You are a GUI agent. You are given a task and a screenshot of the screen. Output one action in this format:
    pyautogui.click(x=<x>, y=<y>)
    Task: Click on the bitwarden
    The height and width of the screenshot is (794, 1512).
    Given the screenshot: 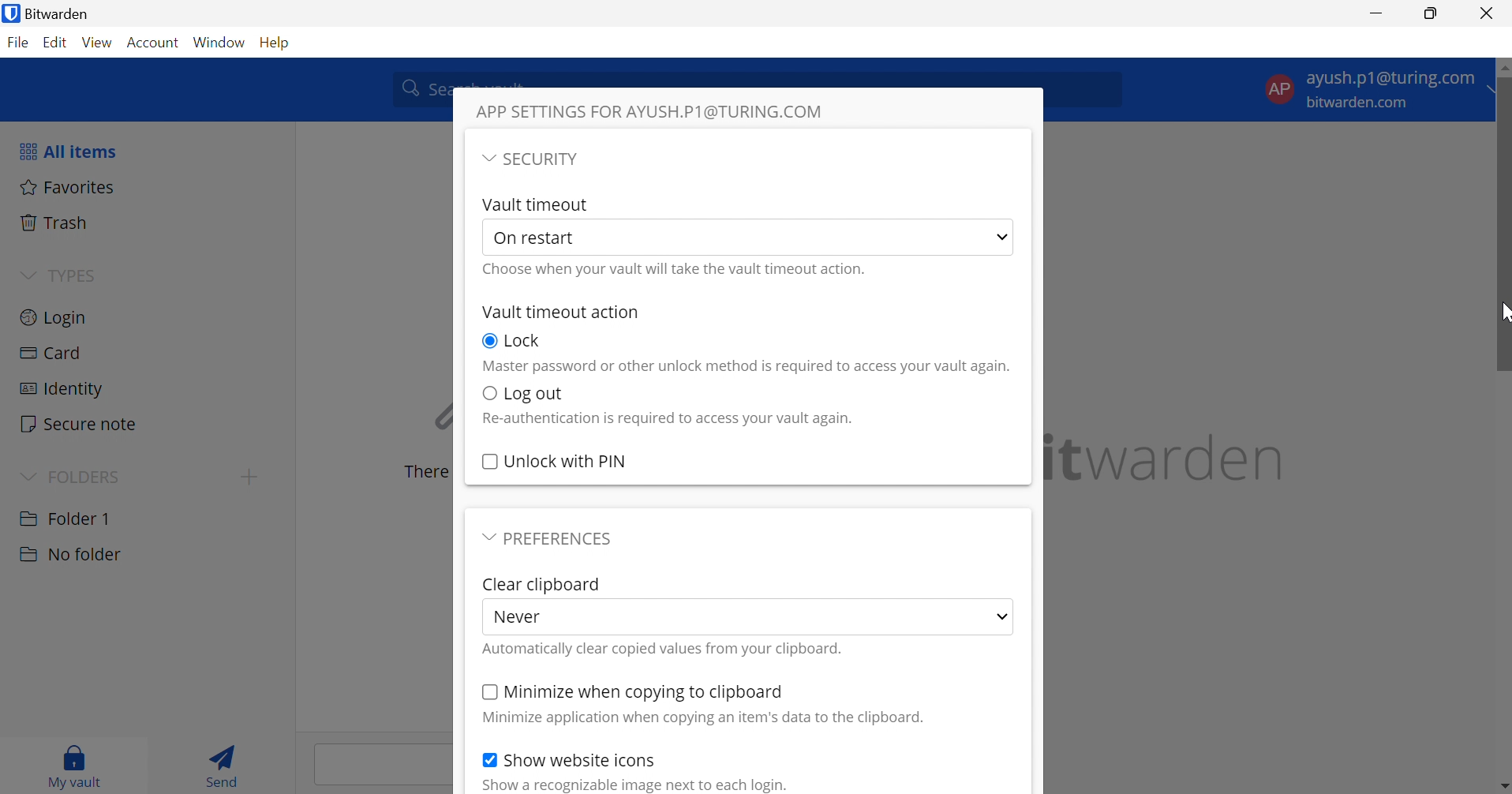 What is the action you would take?
    pyautogui.click(x=1169, y=458)
    